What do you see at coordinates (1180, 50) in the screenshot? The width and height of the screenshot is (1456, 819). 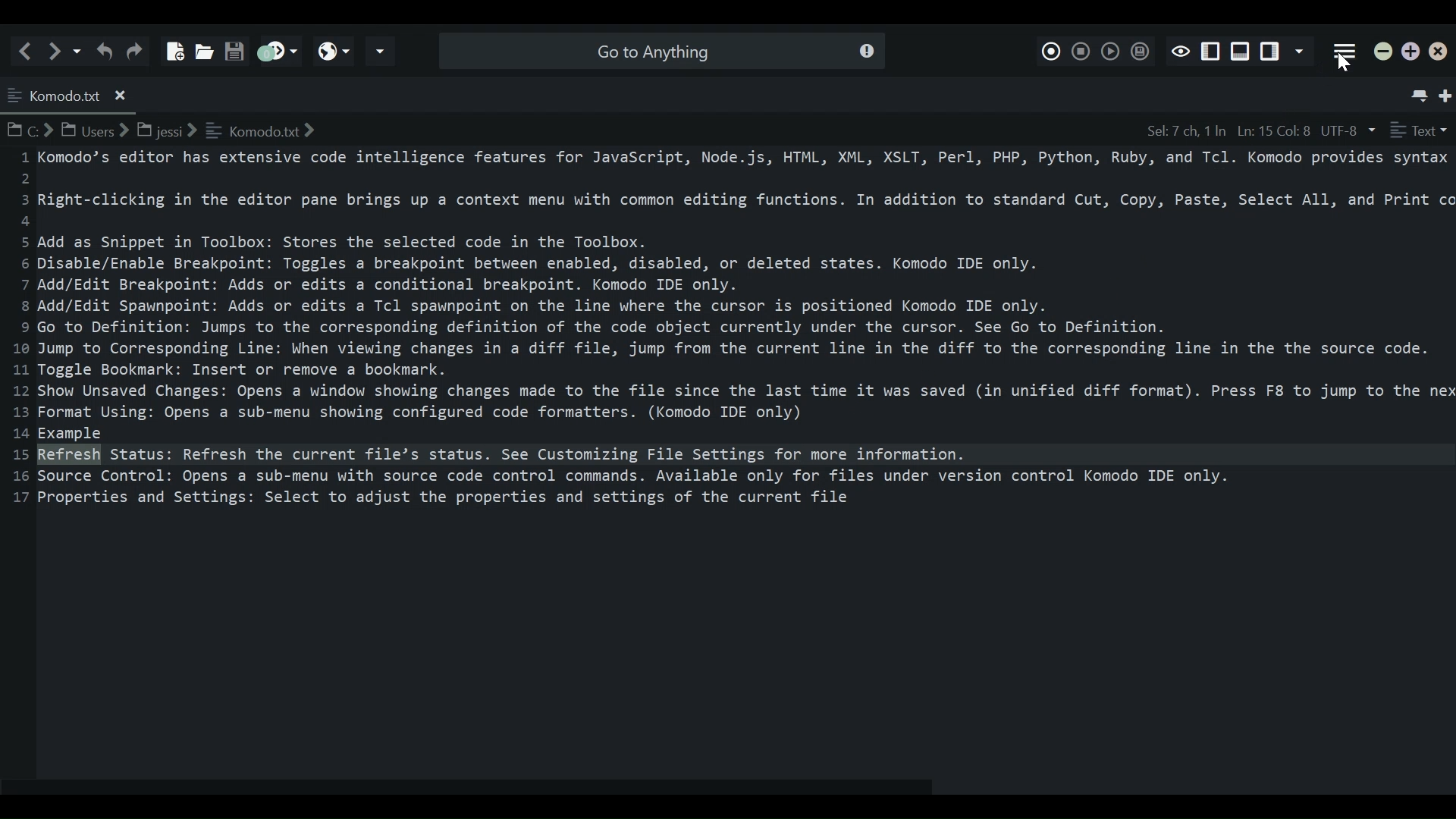 I see `Toggle Focus mode` at bounding box center [1180, 50].